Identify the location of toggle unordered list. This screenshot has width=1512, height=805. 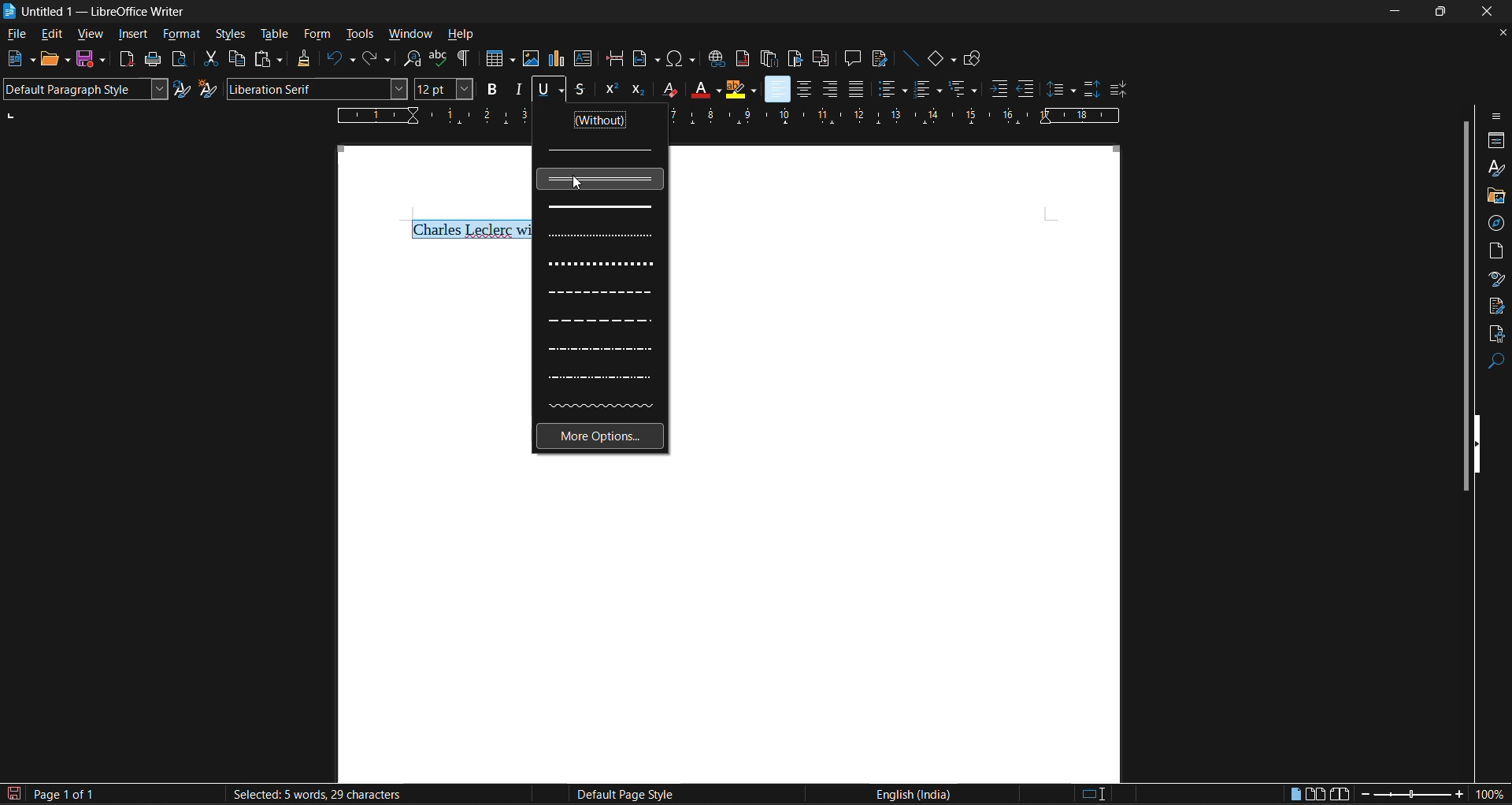
(891, 87).